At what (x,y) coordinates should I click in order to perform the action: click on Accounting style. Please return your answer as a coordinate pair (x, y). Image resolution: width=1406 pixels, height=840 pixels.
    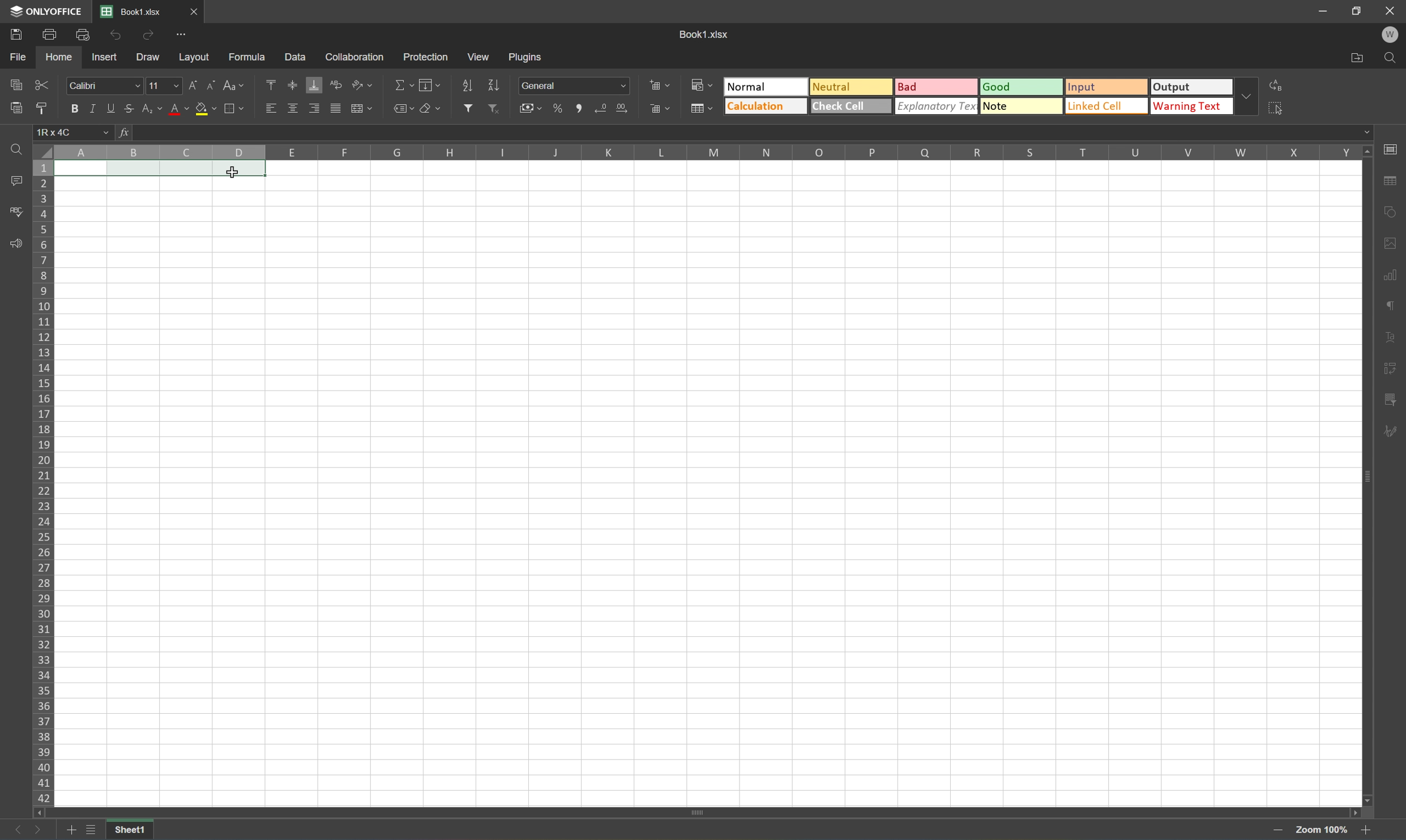
    Looking at the image, I should click on (533, 108).